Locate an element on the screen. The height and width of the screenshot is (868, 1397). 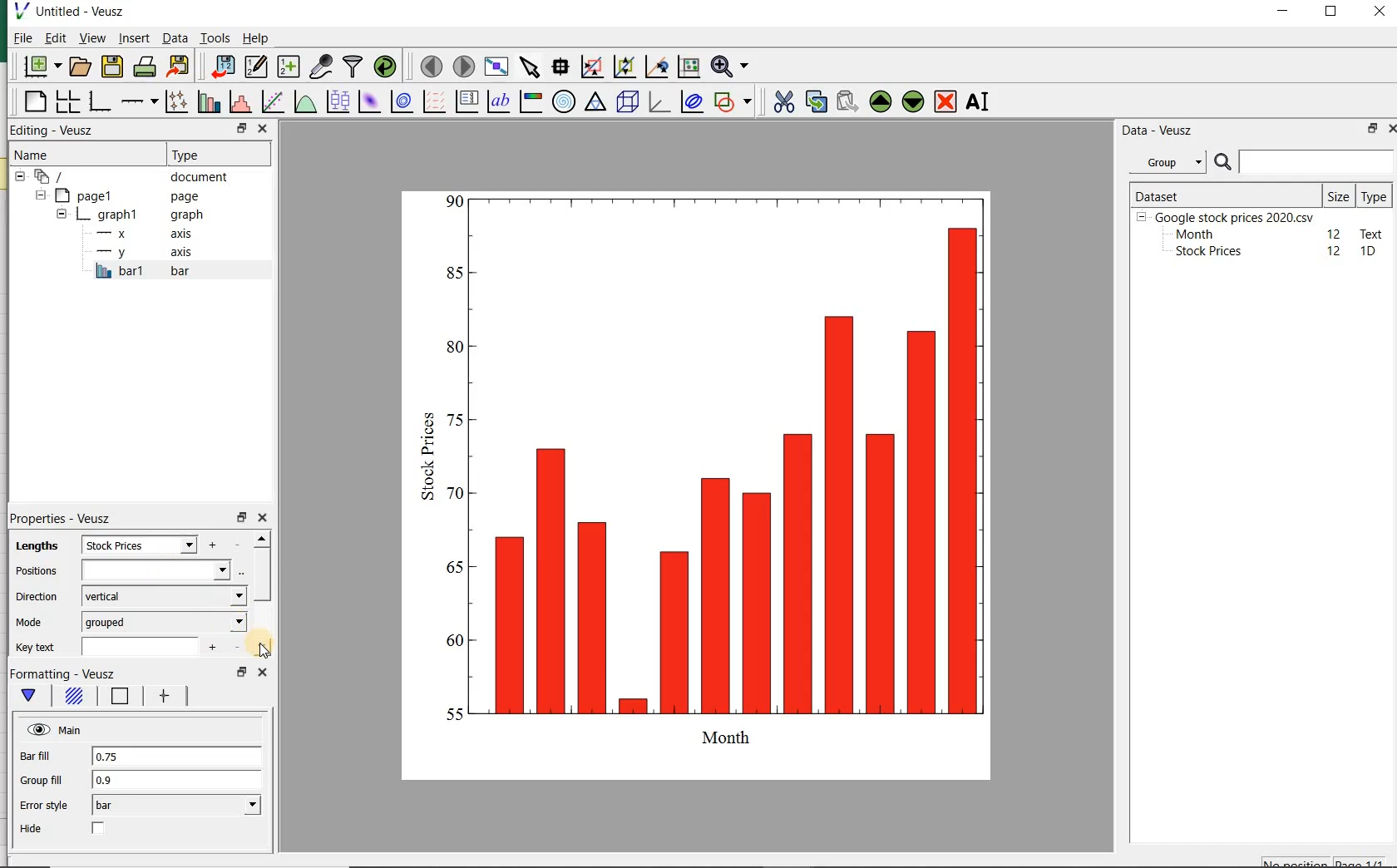
File is located at coordinates (18, 40).